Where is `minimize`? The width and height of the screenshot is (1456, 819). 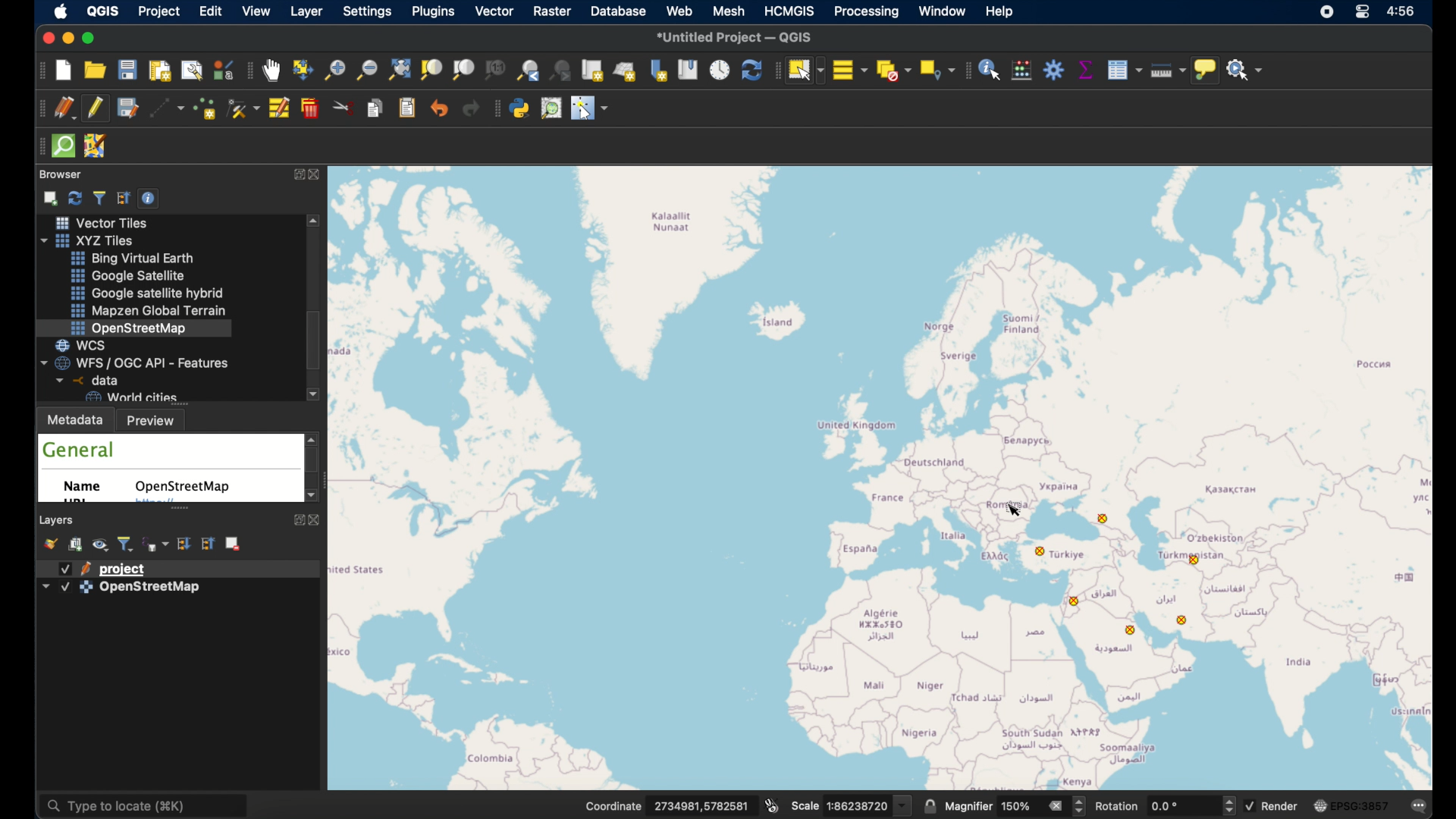 minimize is located at coordinates (67, 39).